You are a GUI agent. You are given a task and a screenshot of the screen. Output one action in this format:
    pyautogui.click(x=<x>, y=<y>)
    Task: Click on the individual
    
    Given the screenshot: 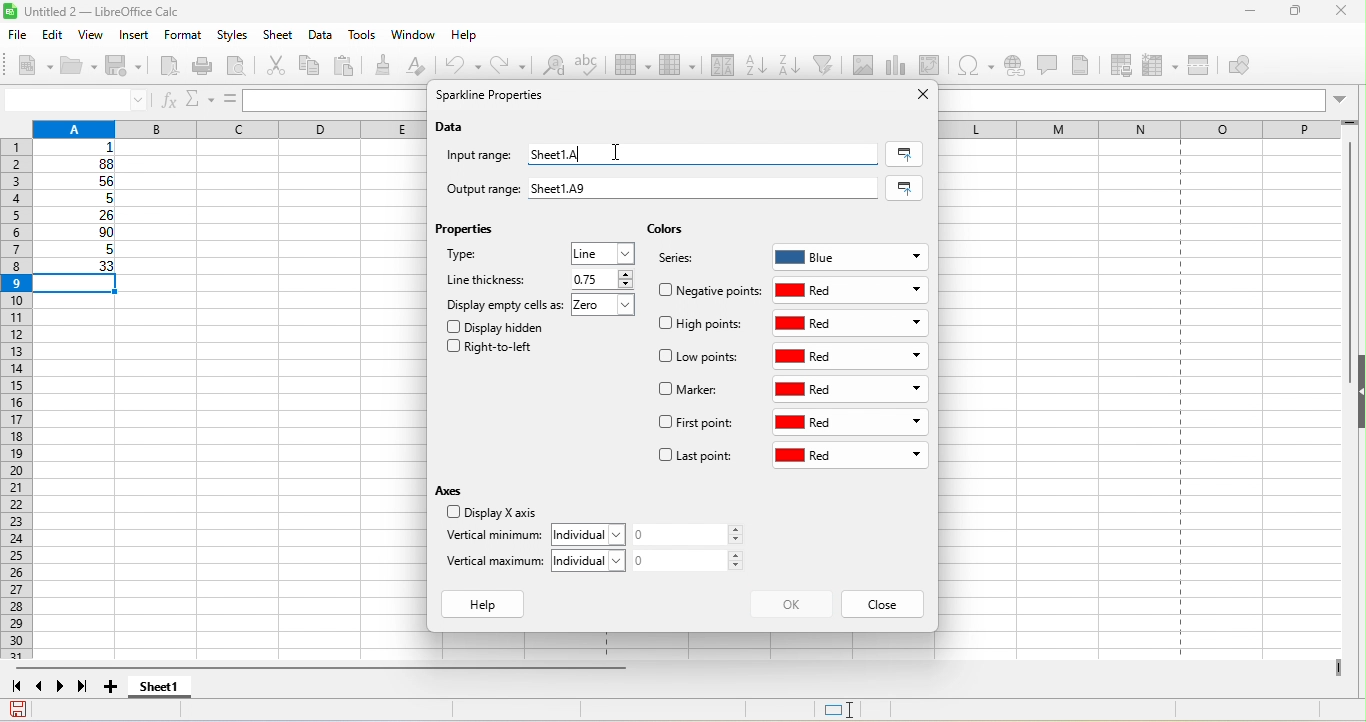 What is the action you would take?
    pyautogui.click(x=593, y=533)
    